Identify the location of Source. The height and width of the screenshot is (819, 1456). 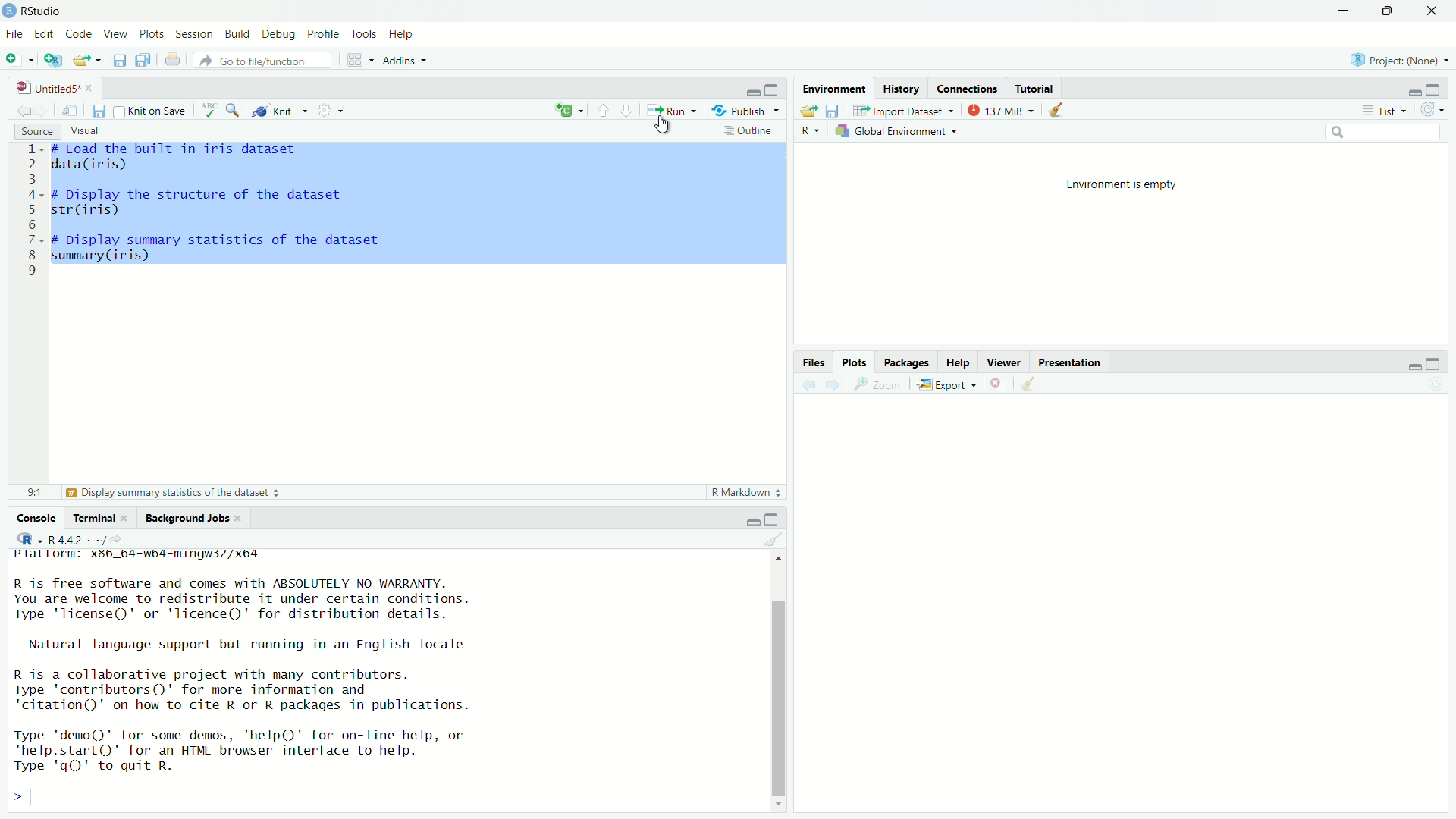
(38, 131).